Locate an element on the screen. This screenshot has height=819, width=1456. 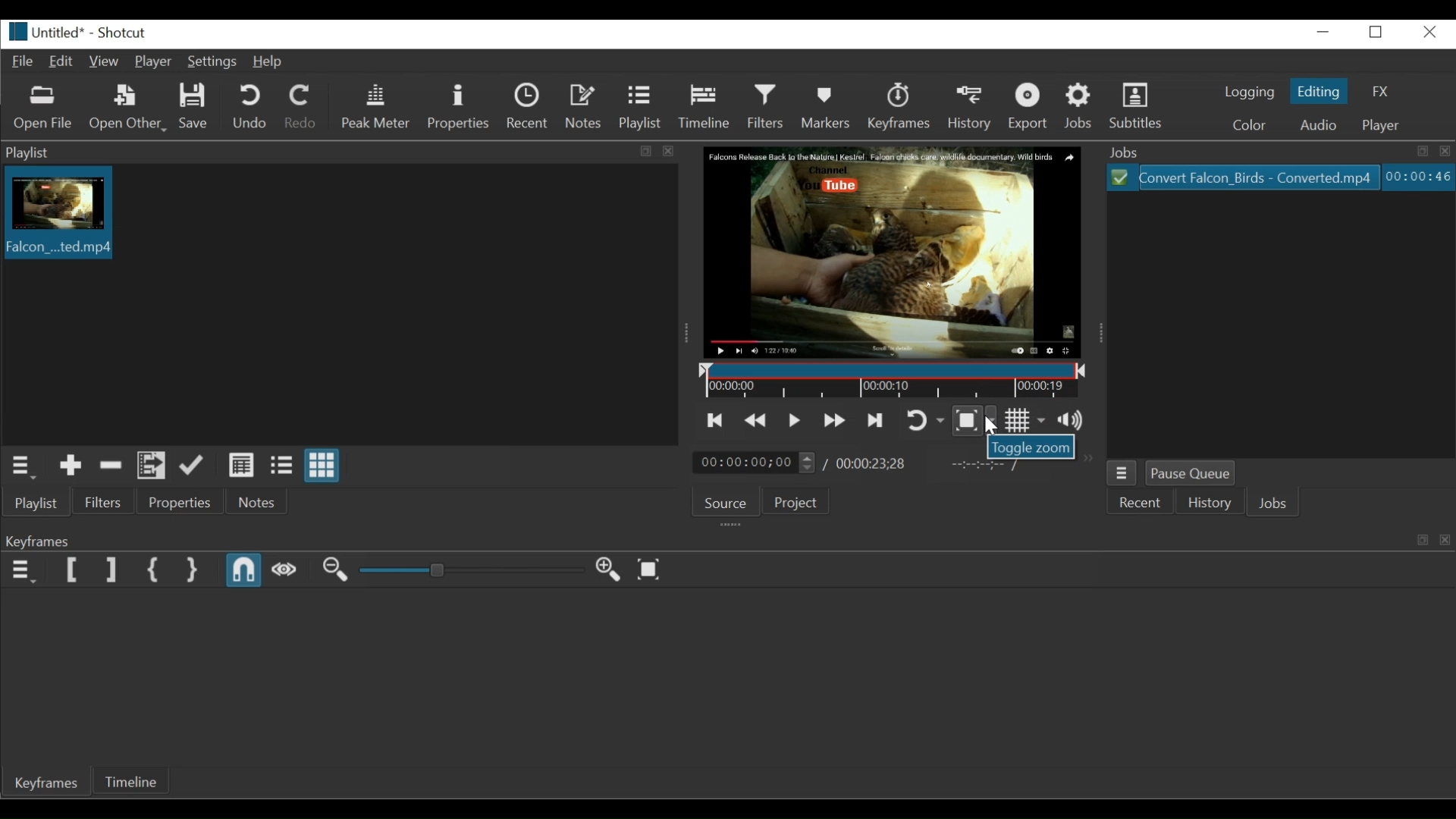
Recent is located at coordinates (529, 106).